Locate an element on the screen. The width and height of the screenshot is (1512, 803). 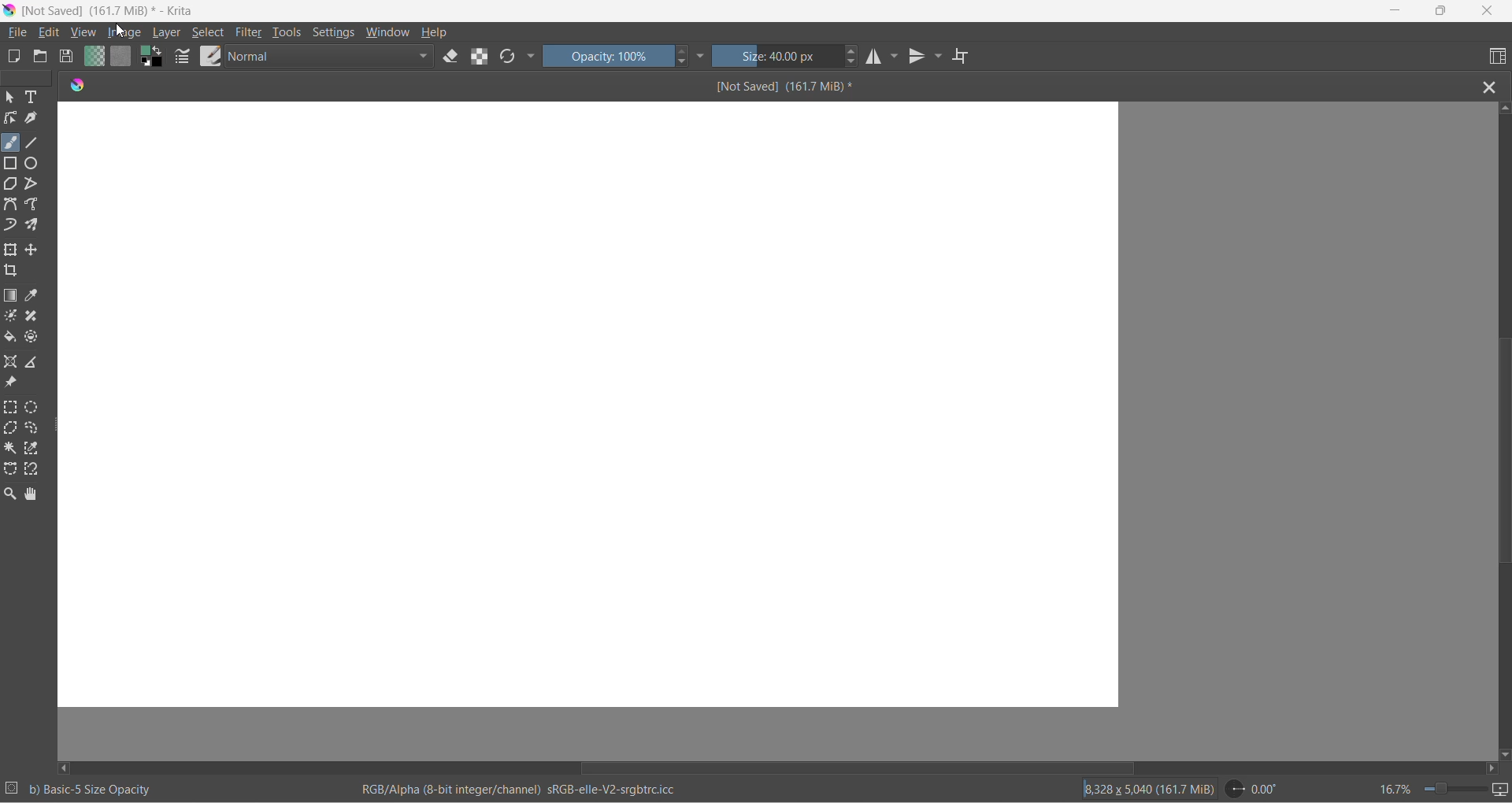
choose workspace is located at coordinates (1495, 57).